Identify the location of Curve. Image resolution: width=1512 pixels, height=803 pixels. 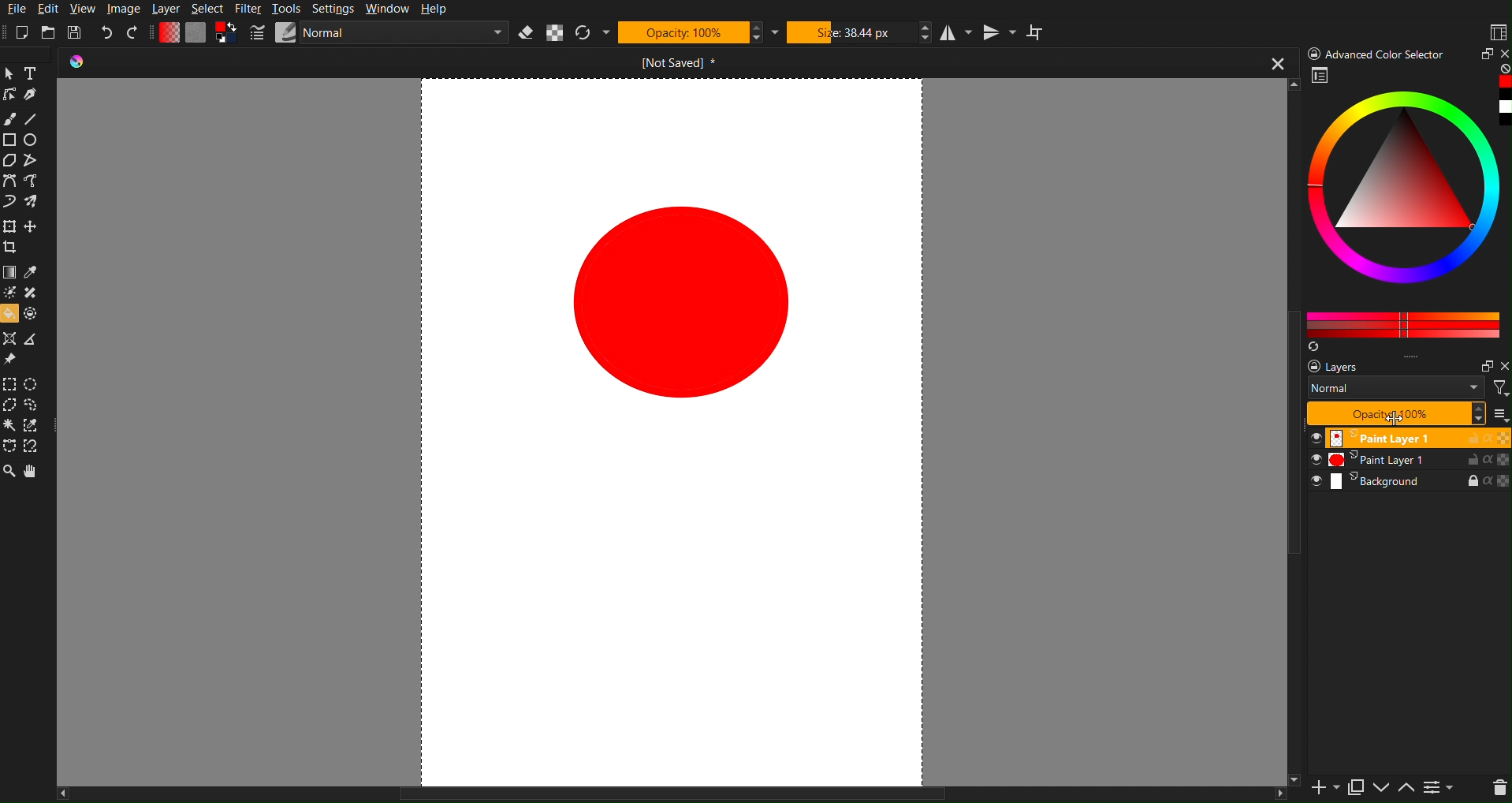
(227, 32).